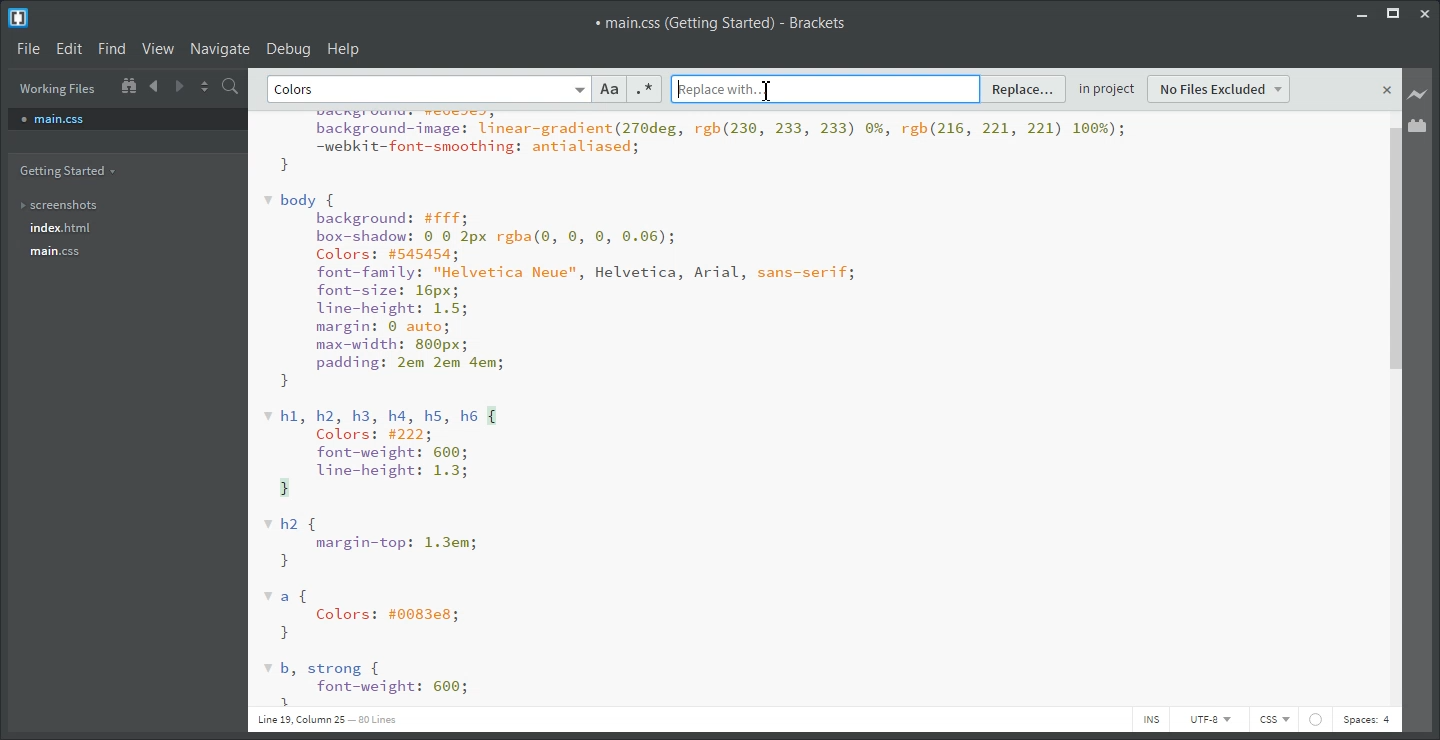  Describe the element at coordinates (220, 48) in the screenshot. I see `Navigate` at that location.